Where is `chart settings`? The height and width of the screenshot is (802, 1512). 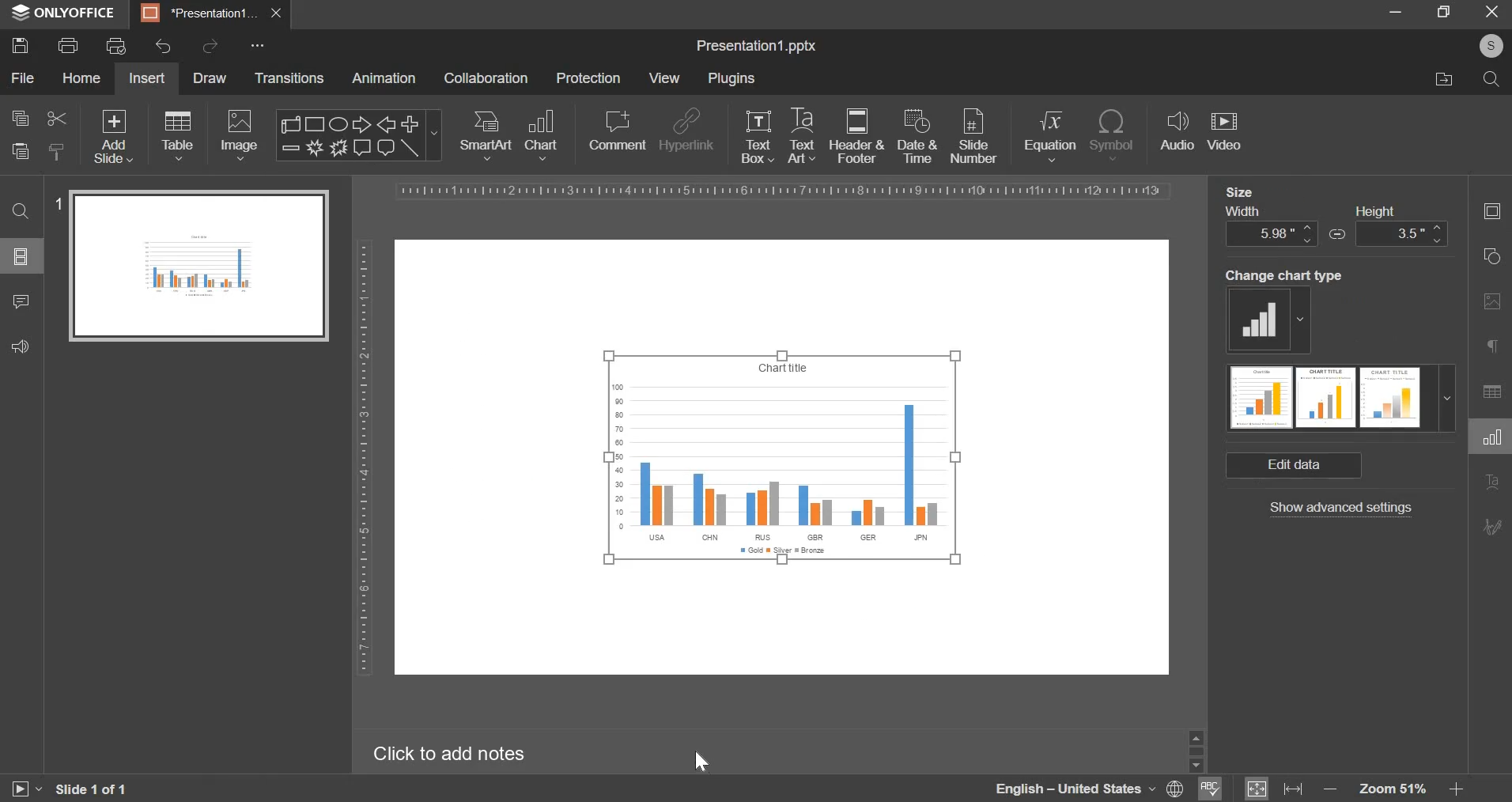 chart settings is located at coordinates (1491, 442).